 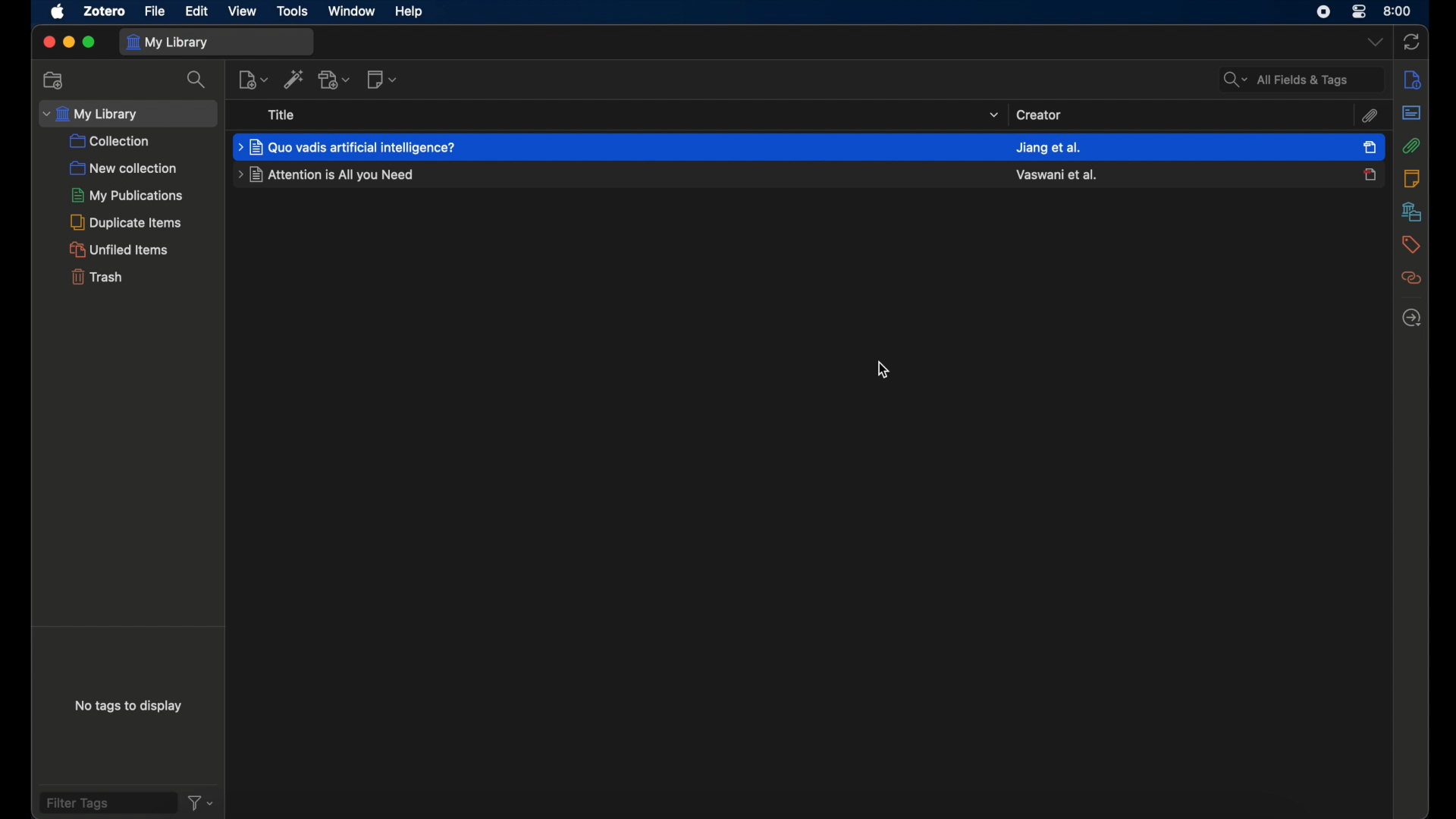 I want to click on help, so click(x=409, y=12).